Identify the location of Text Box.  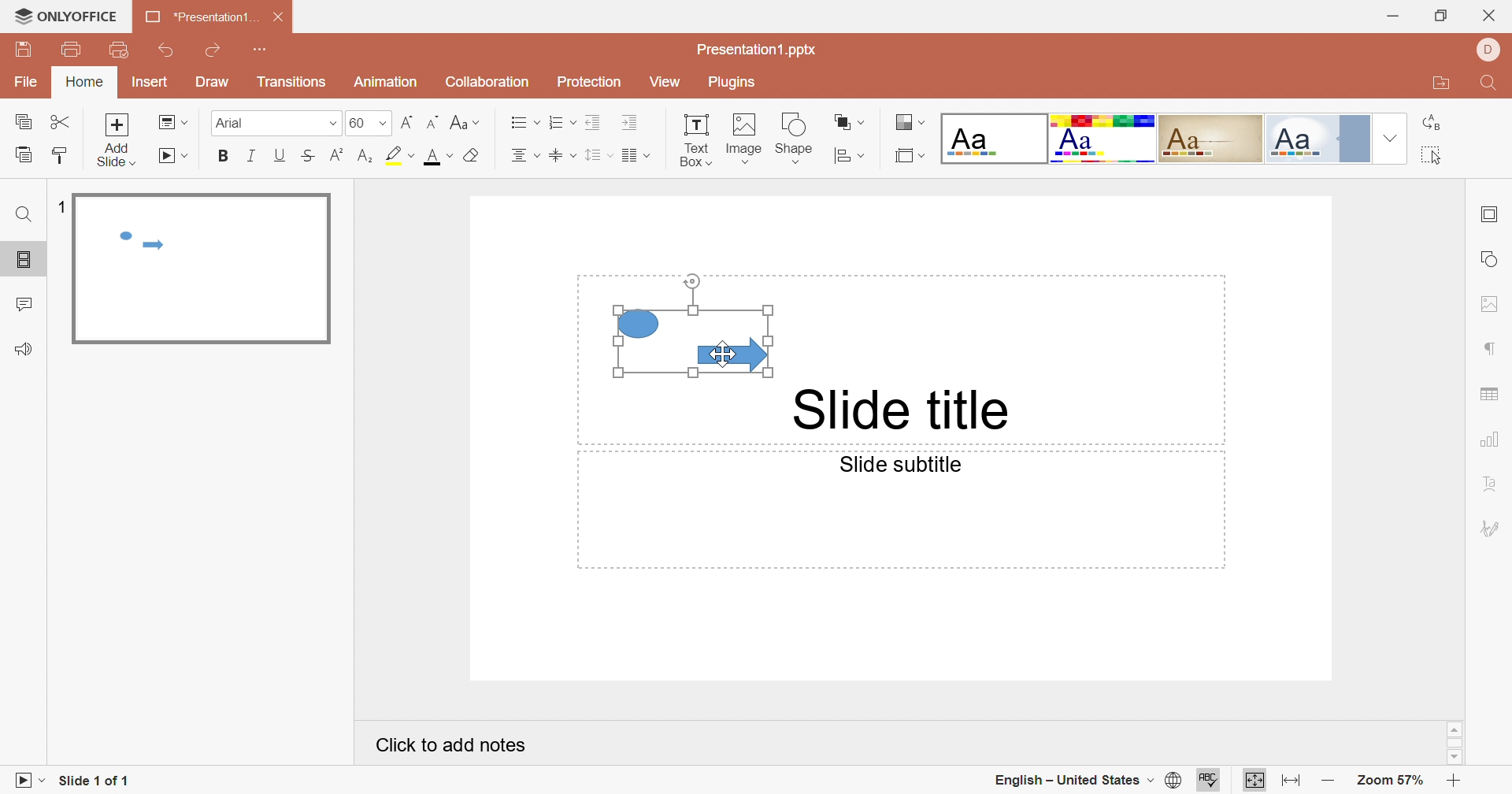
(698, 141).